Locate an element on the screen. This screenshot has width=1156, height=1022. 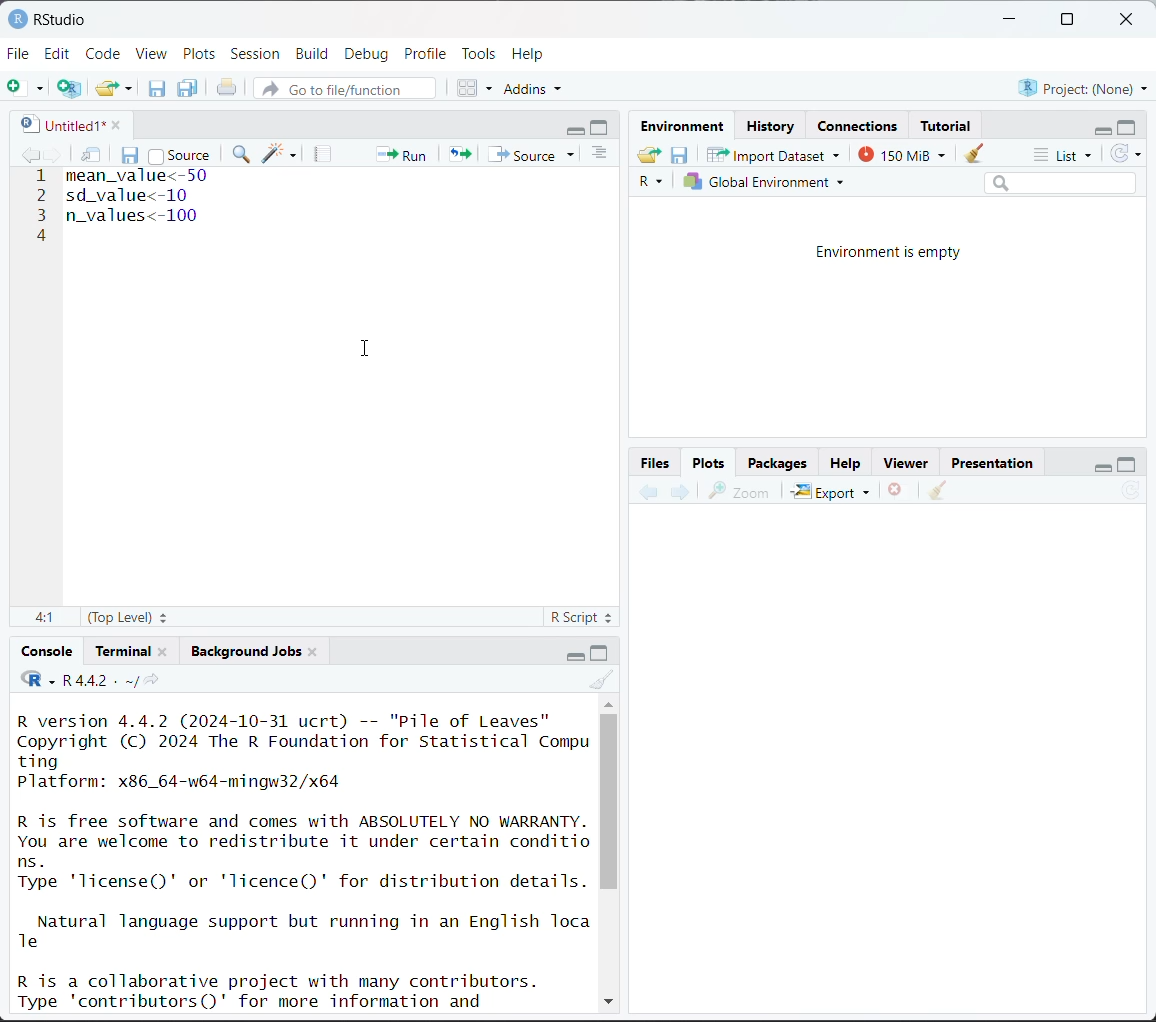
down is located at coordinates (607, 998).